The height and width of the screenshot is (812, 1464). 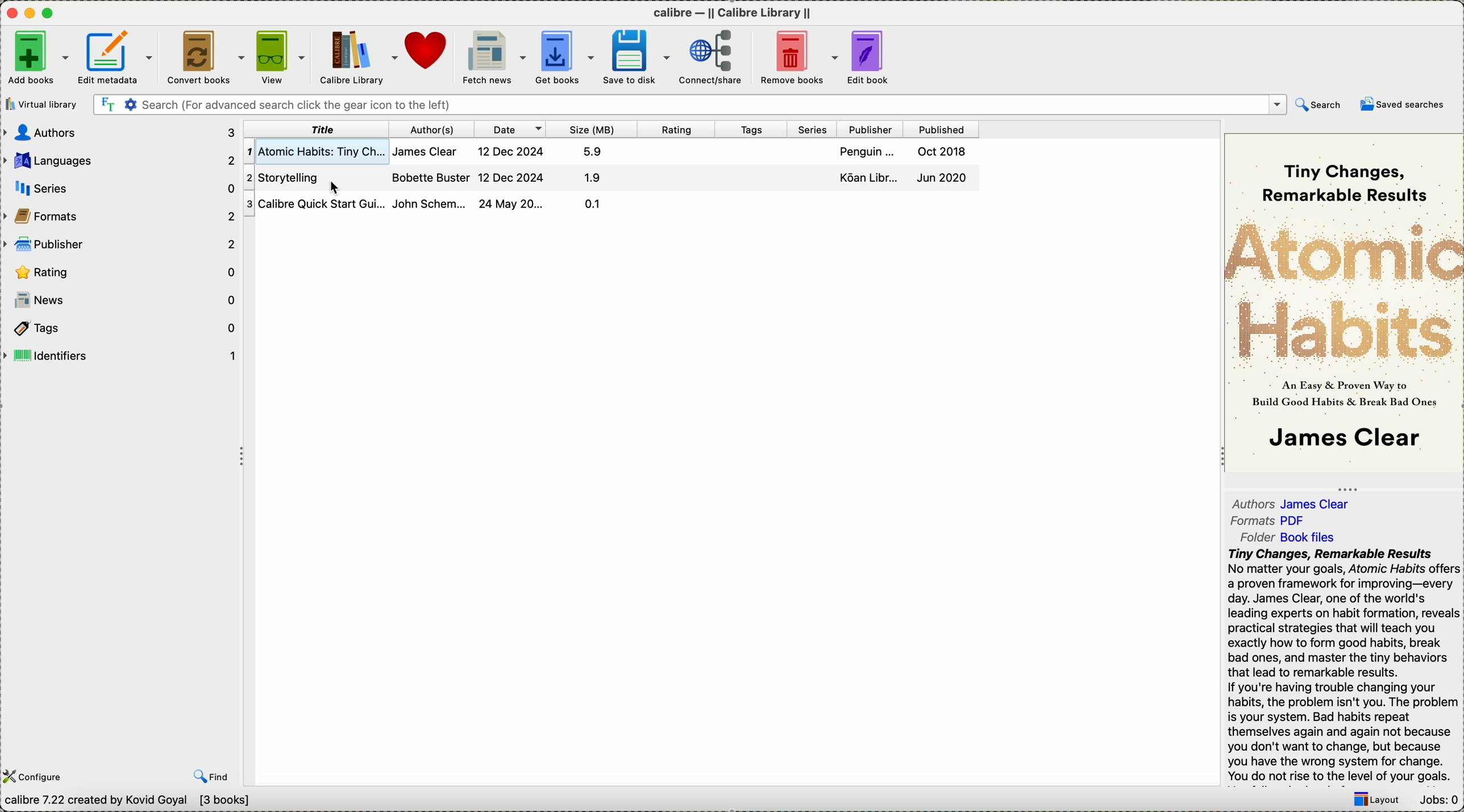 What do you see at coordinates (432, 130) in the screenshot?
I see `author` at bounding box center [432, 130].